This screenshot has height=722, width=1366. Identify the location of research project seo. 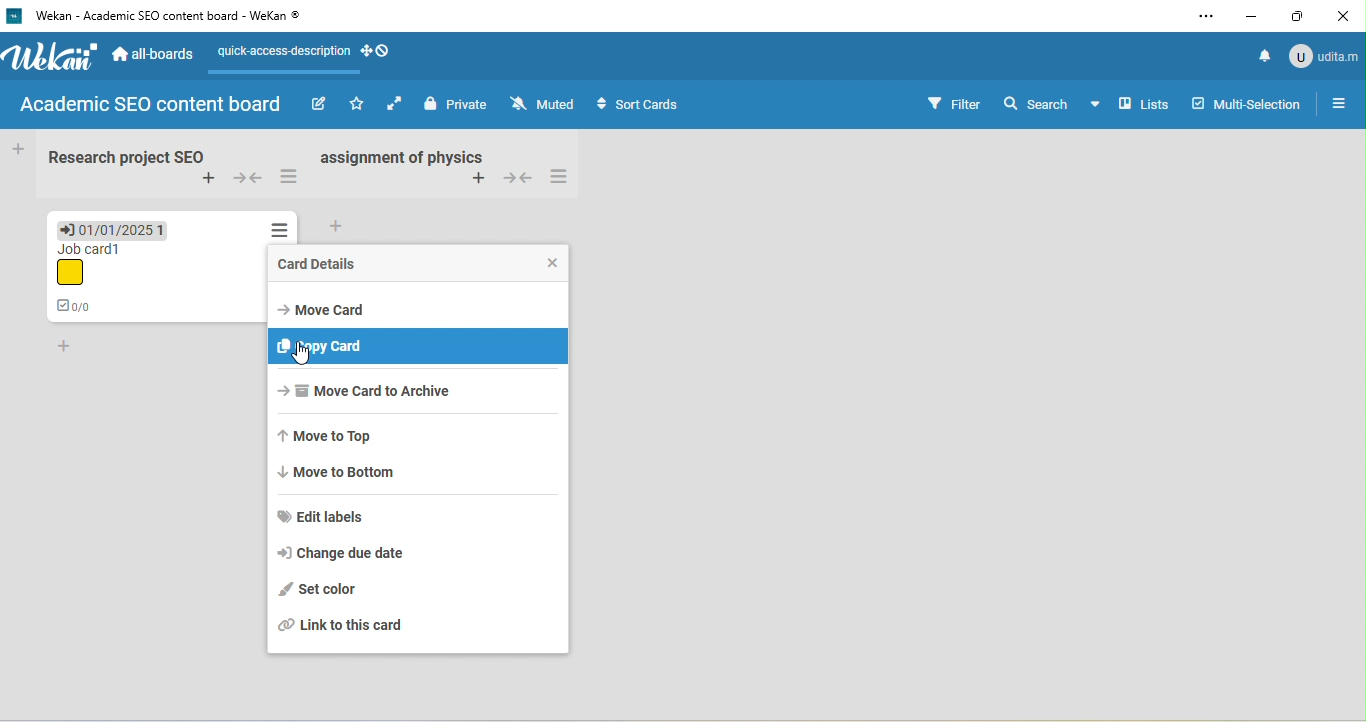
(123, 156).